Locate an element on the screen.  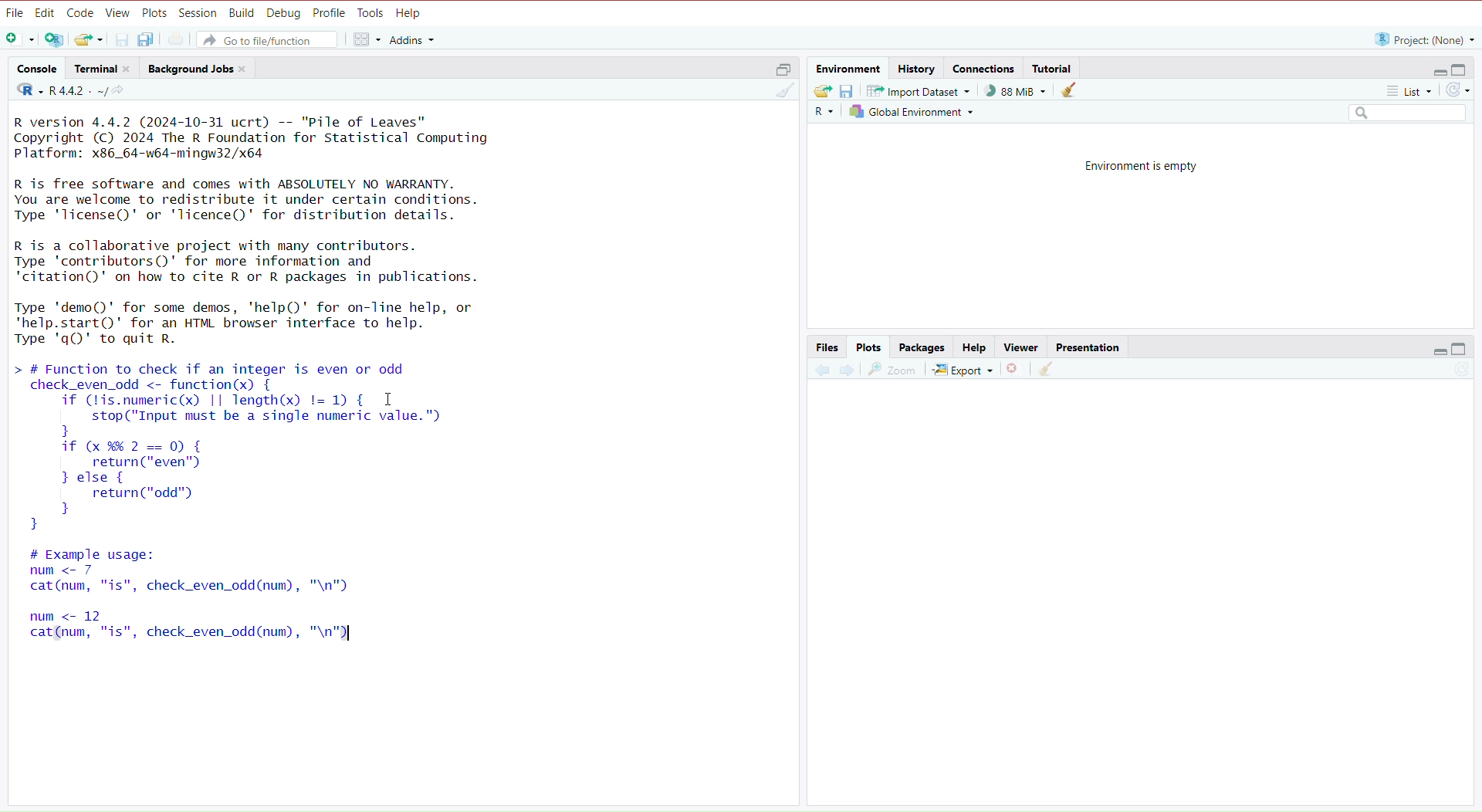
packages is located at coordinates (923, 347).